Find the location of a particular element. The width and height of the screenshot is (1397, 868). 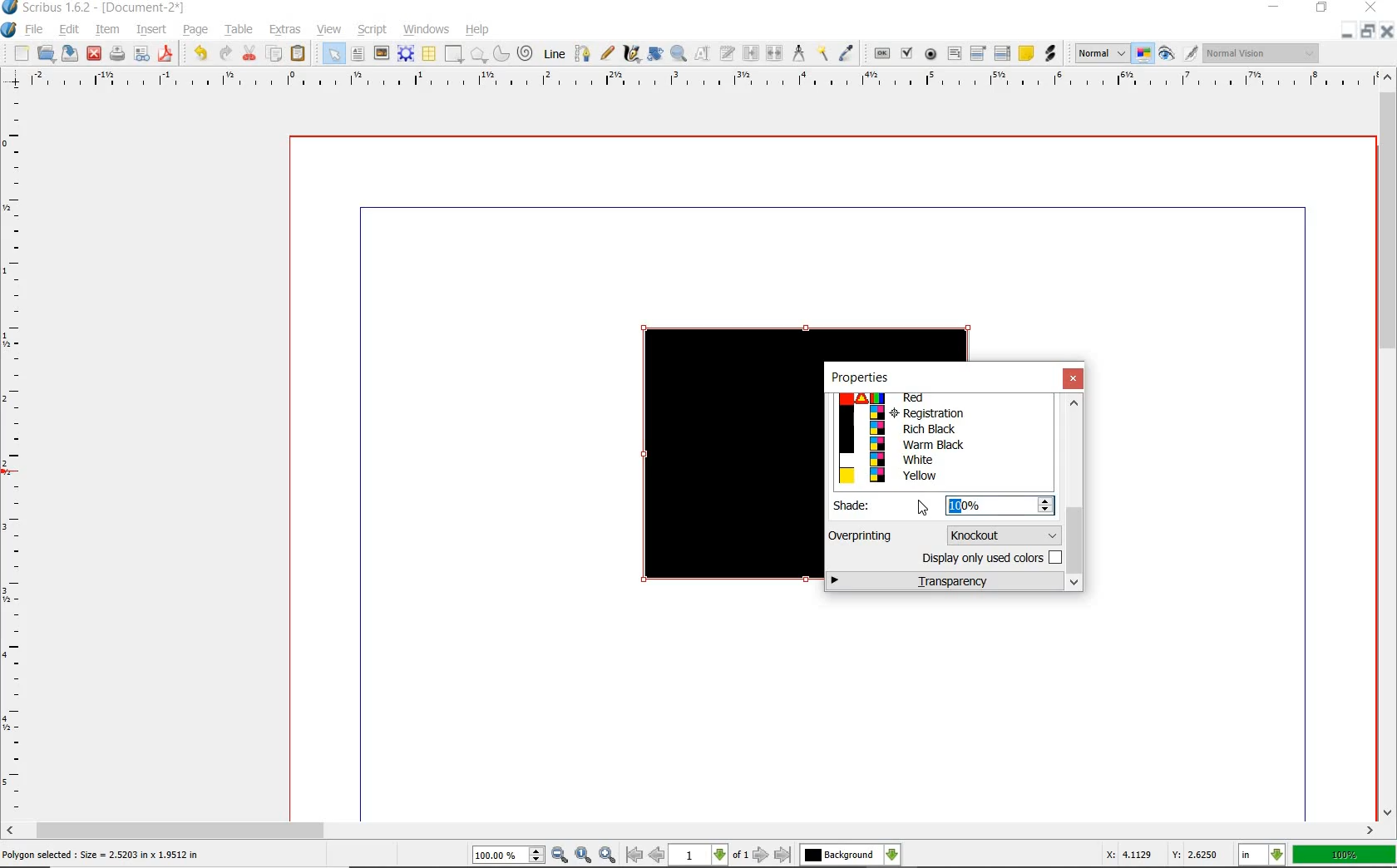

100% is located at coordinates (1344, 856).